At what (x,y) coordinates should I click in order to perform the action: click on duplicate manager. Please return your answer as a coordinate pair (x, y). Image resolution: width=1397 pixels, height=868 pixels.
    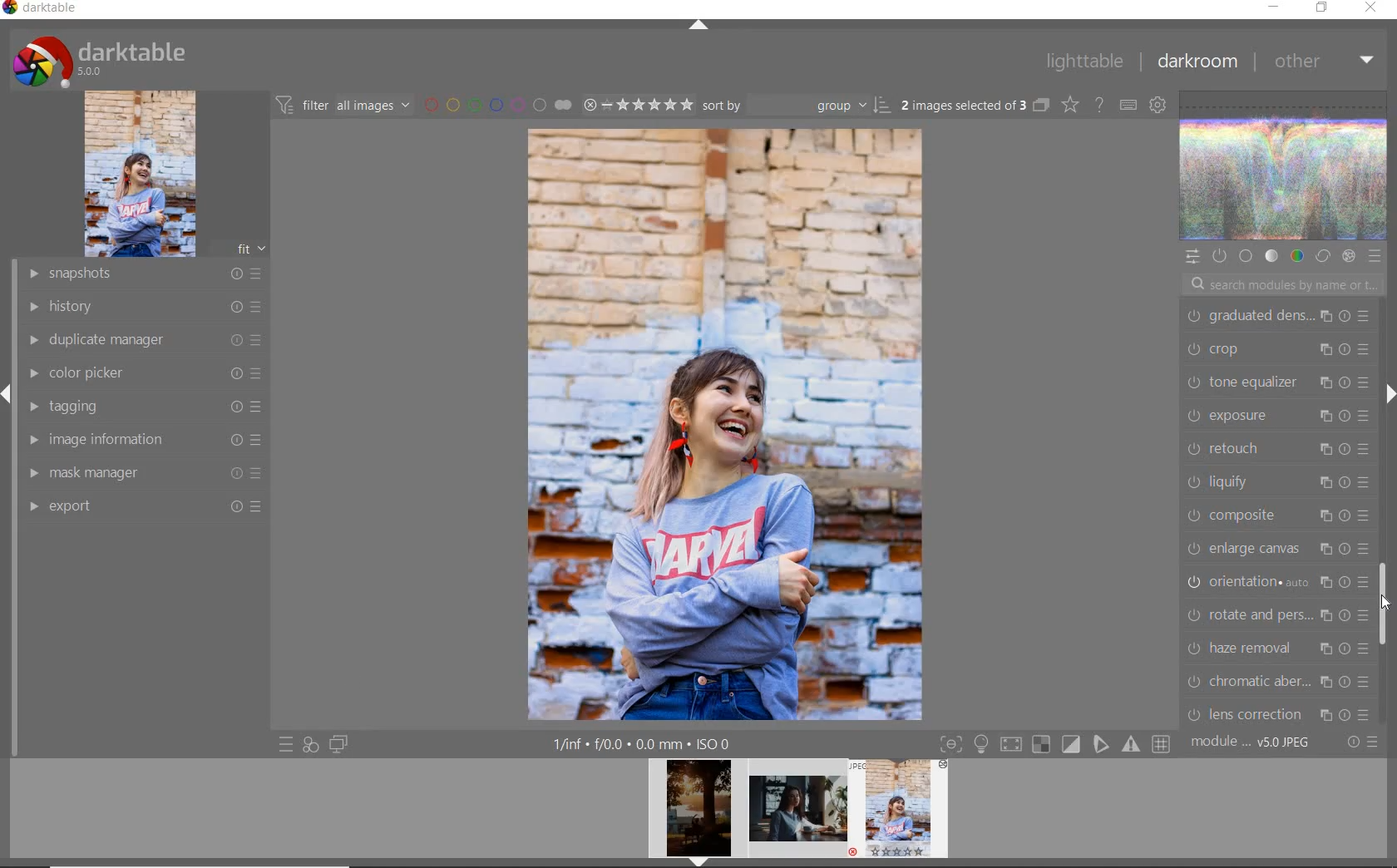
    Looking at the image, I should click on (146, 340).